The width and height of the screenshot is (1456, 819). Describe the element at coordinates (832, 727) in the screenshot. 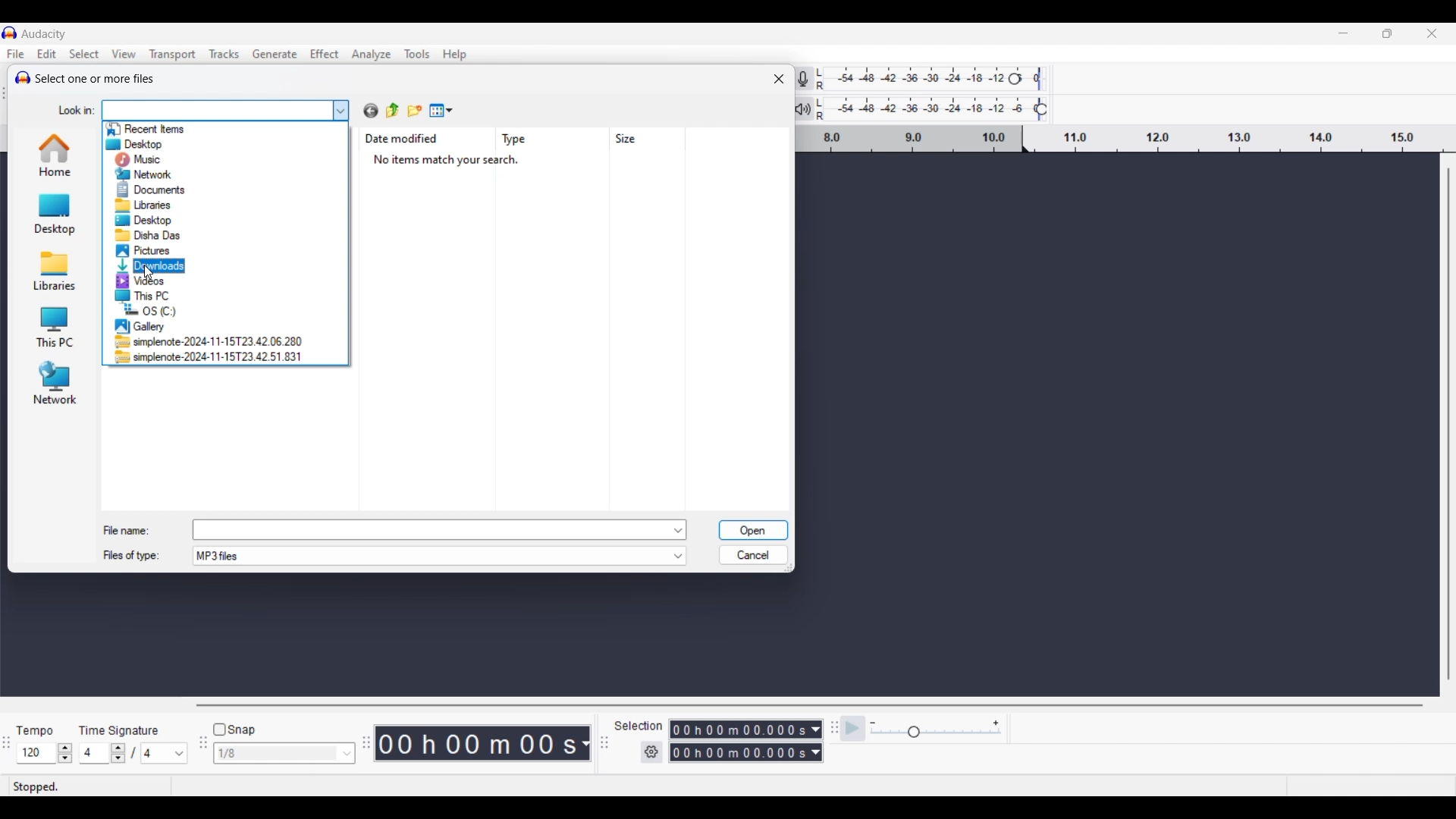

I see `signature time tool bar` at that location.